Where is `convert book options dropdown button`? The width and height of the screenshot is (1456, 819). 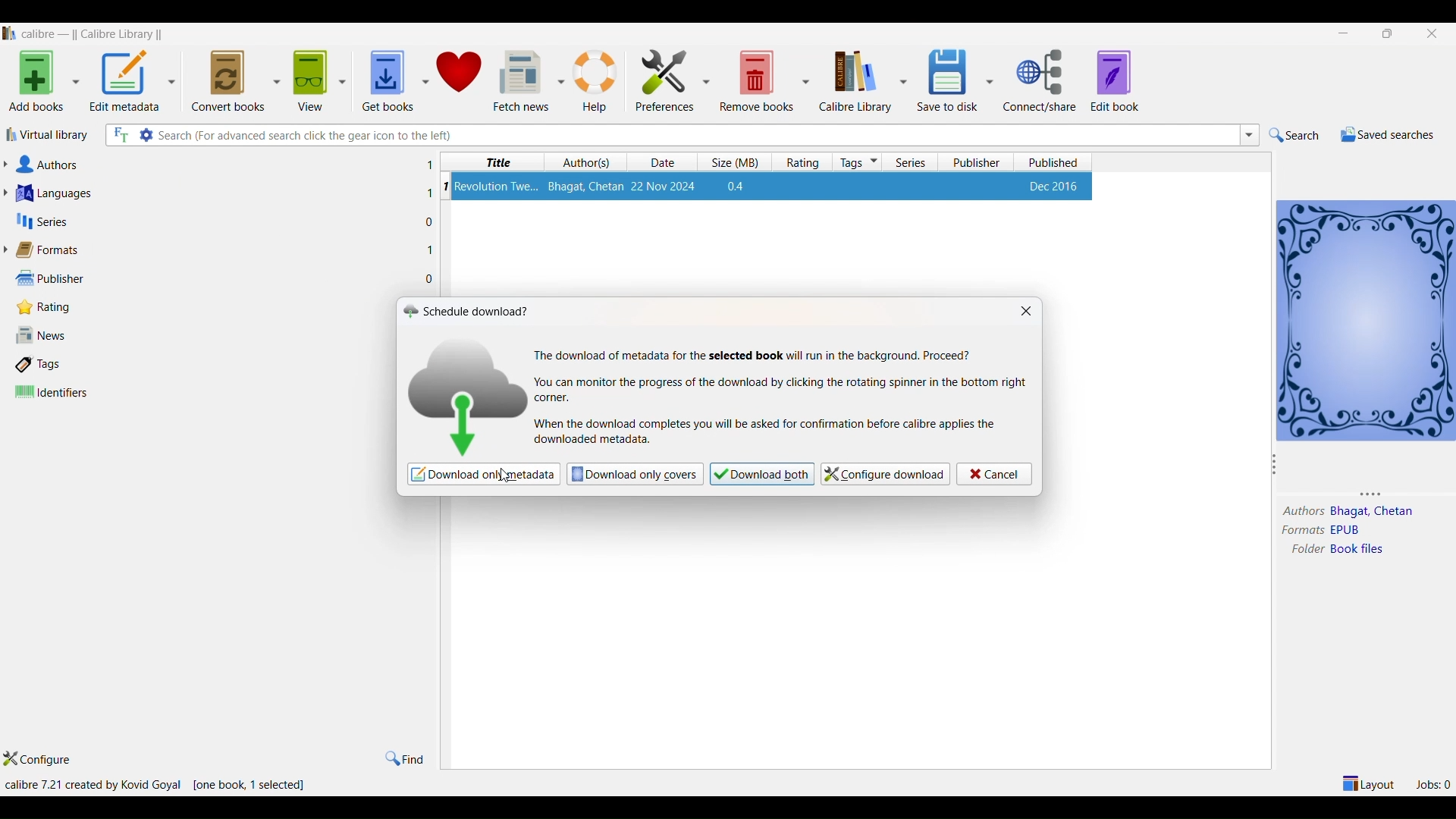 convert book options dropdown button is located at coordinates (275, 74).